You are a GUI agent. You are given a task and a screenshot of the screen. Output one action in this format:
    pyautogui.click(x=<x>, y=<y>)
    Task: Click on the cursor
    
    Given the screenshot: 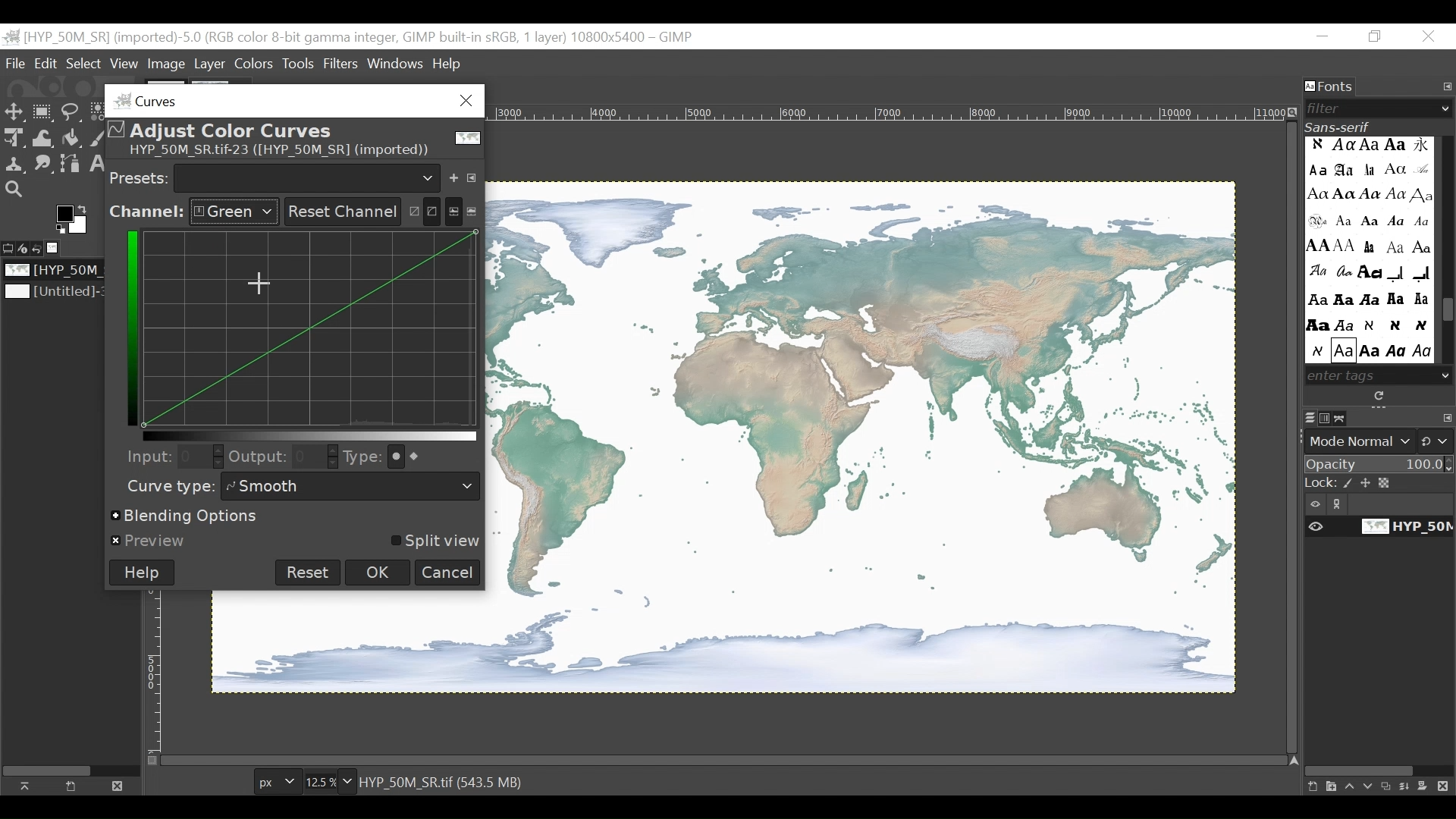 What is the action you would take?
    pyautogui.click(x=263, y=288)
    